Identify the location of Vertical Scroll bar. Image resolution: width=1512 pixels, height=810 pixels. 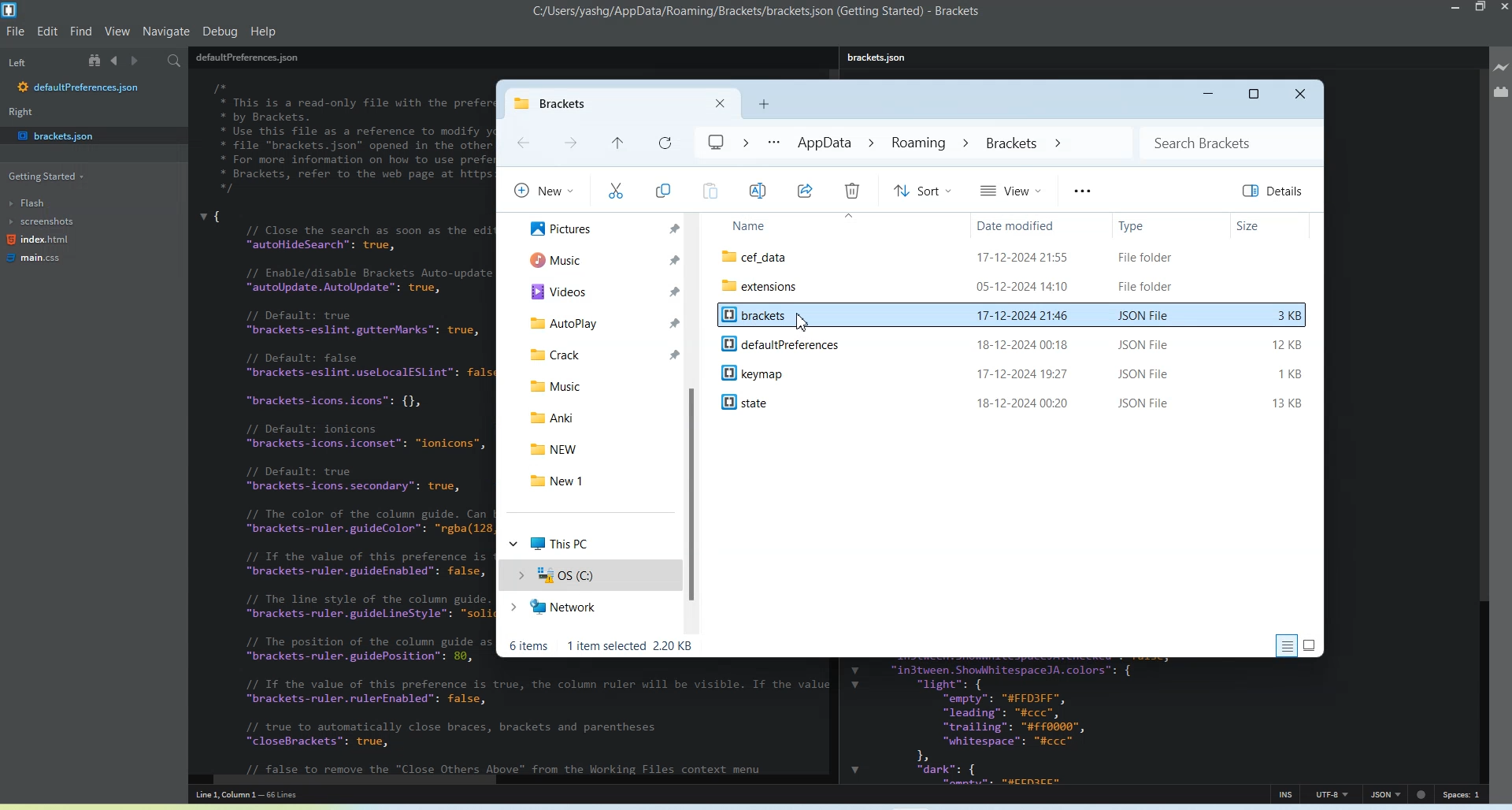
(1482, 422).